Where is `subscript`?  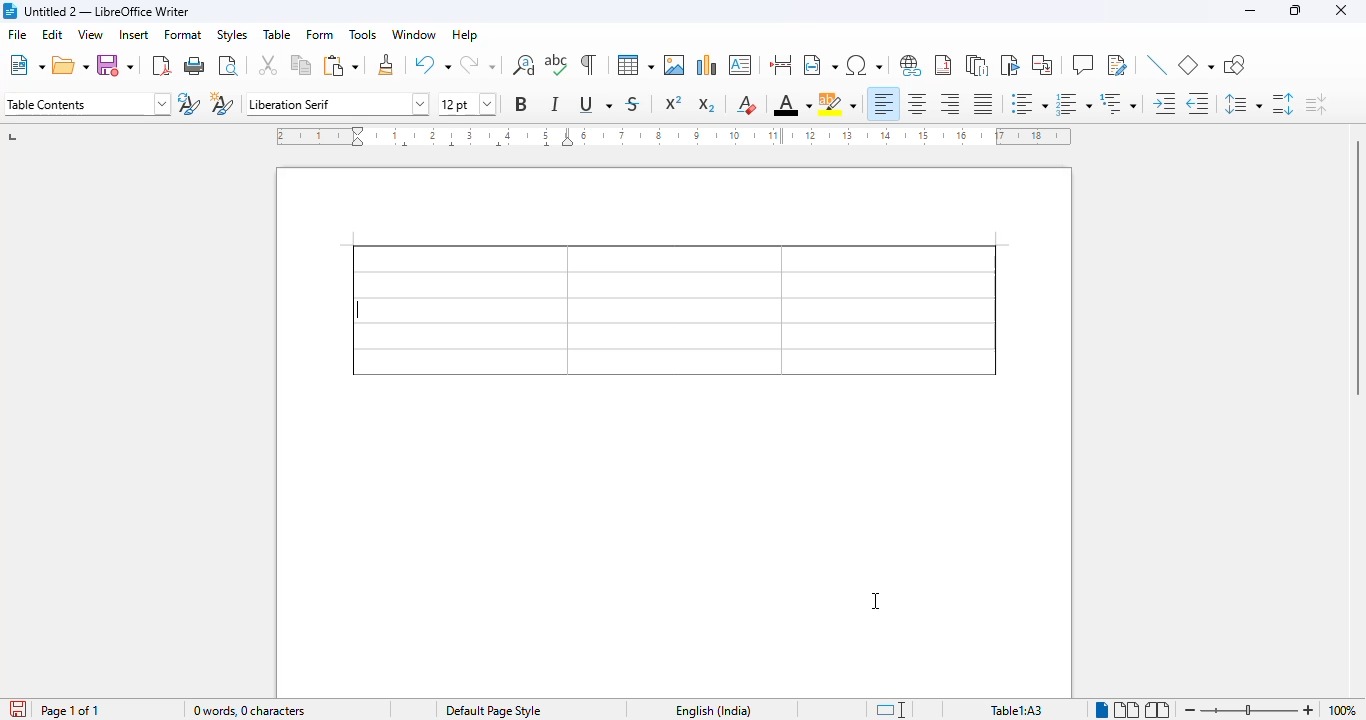 subscript is located at coordinates (706, 105).